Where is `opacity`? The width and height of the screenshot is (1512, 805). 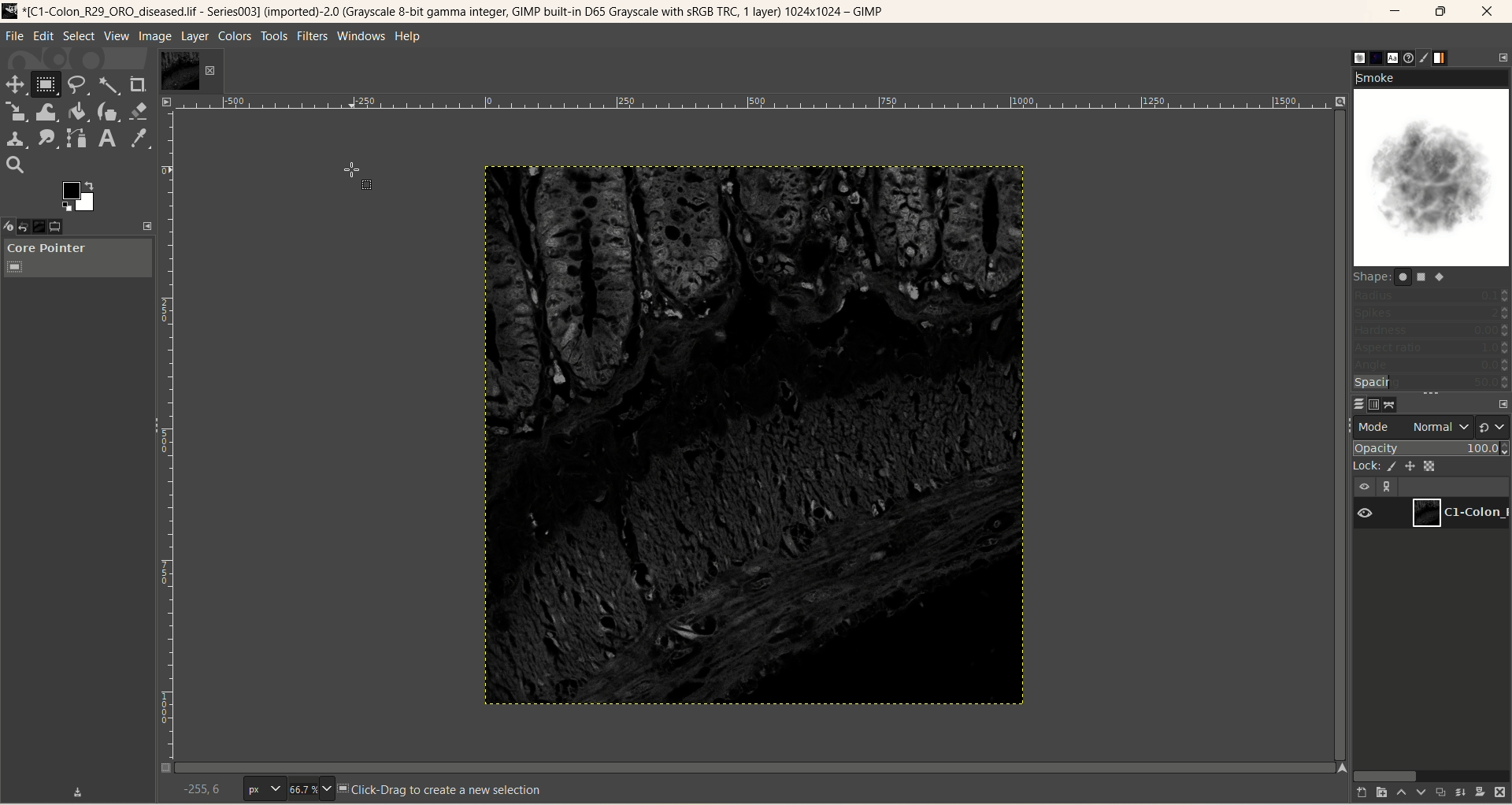 opacity is located at coordinates (1432, 448).